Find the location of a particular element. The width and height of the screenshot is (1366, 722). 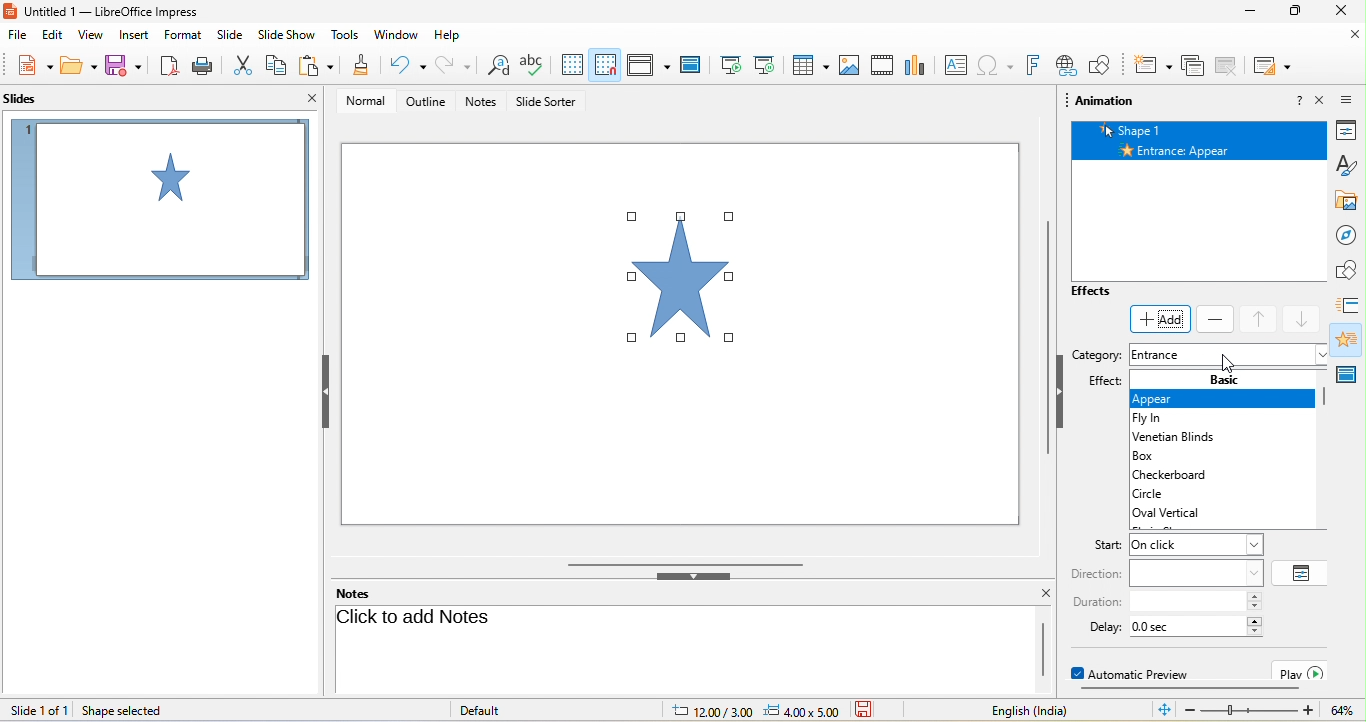

slide sorter is located at coordinates (554, 103).